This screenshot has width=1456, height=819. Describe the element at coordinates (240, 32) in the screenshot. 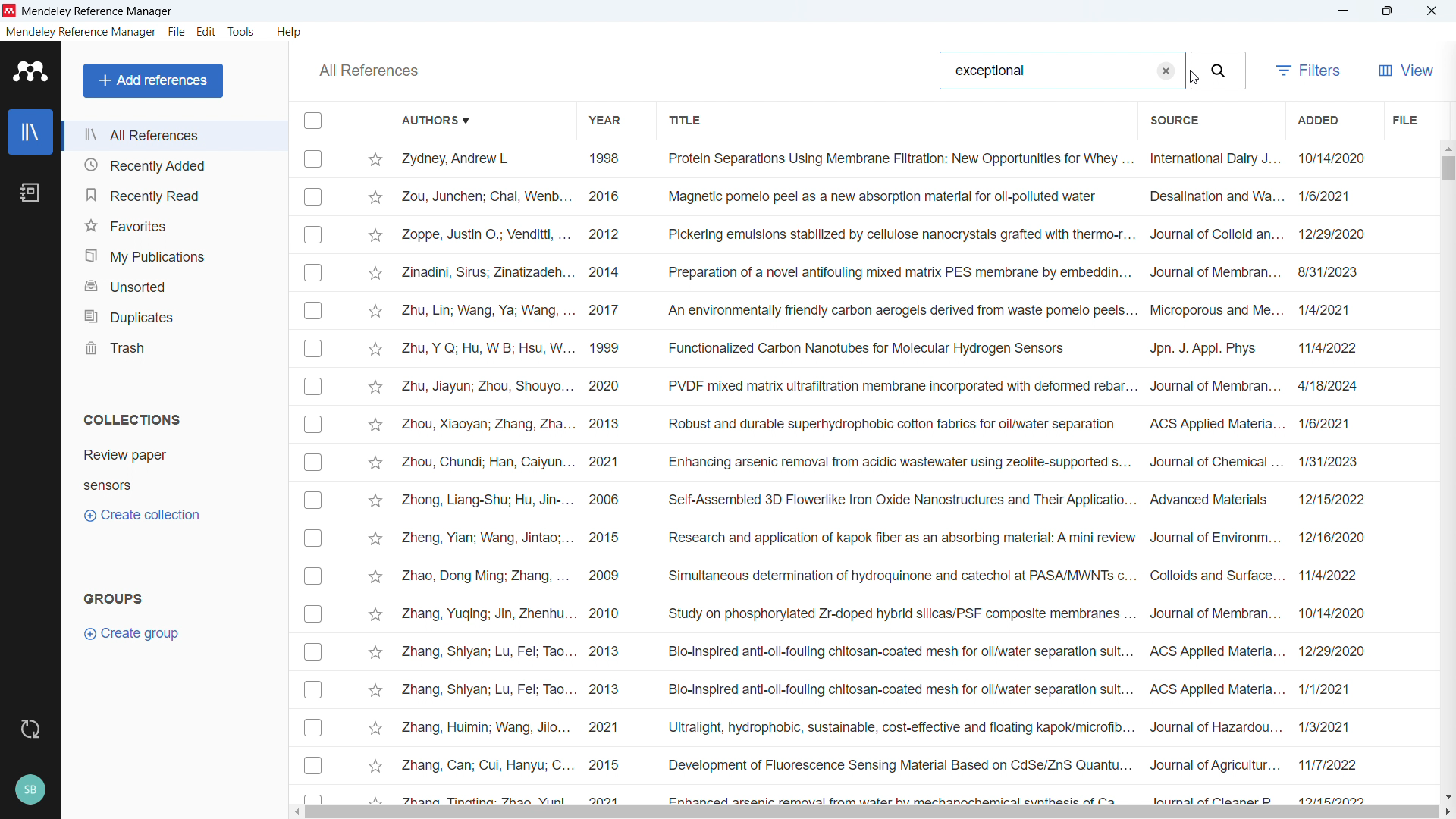

I see `tools` at that location.